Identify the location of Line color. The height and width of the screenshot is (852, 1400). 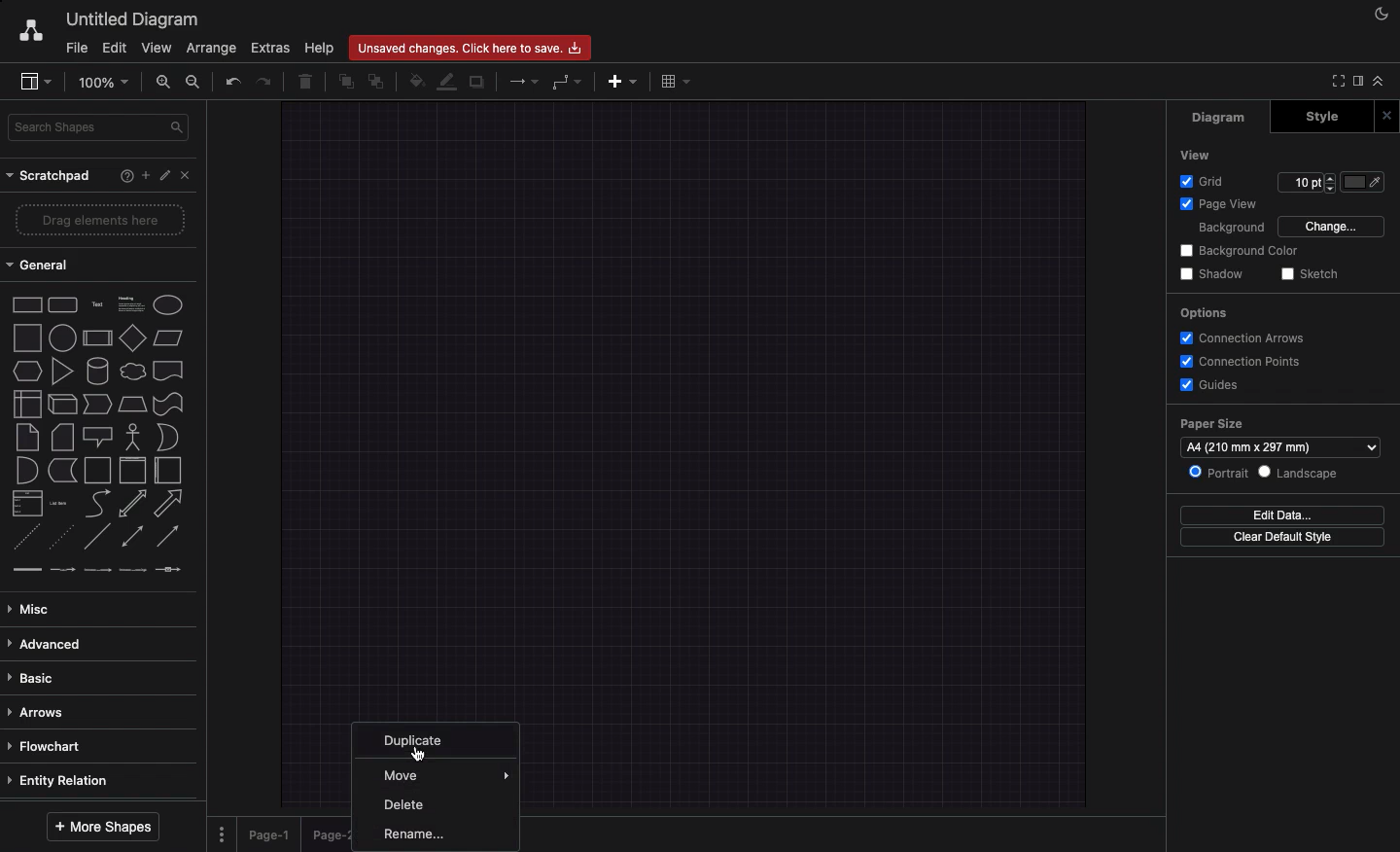
(444, 83).